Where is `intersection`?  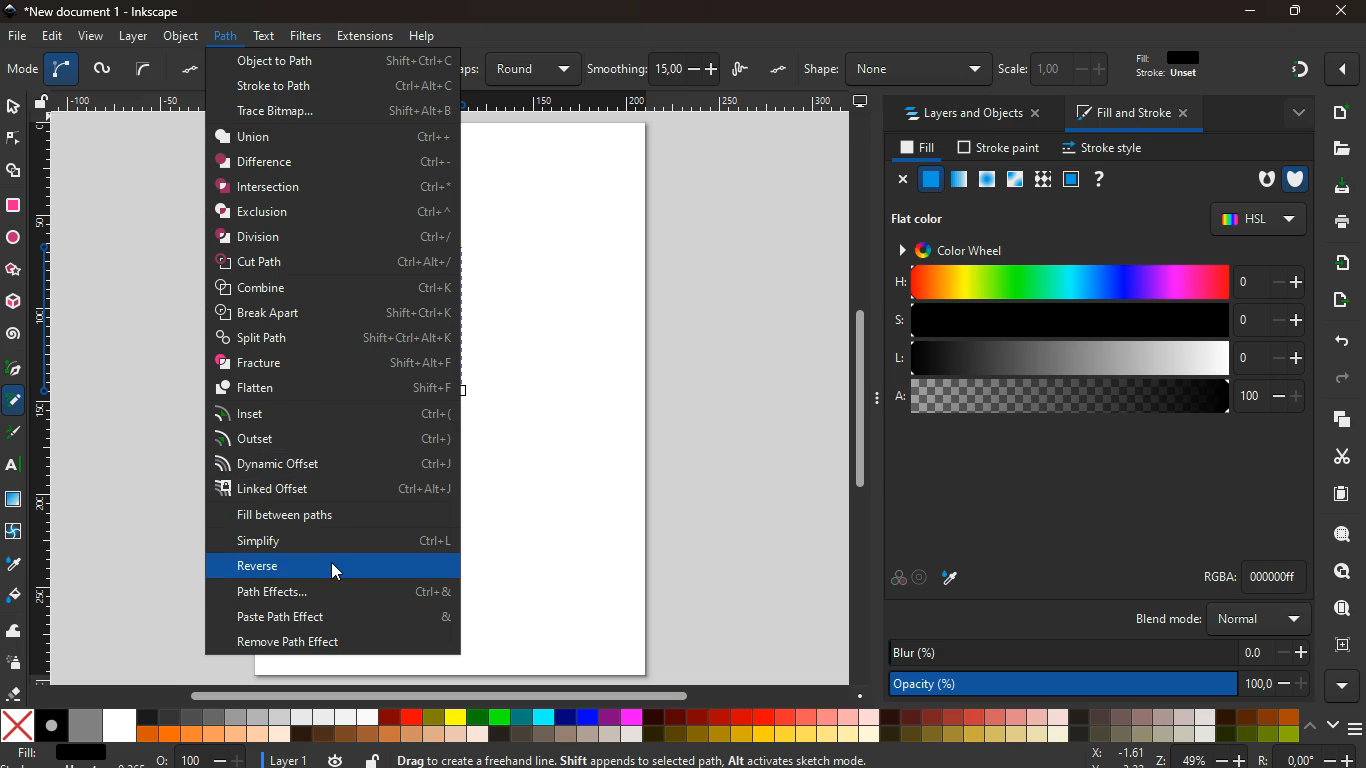 intersection is located at coordinates (334, 186).